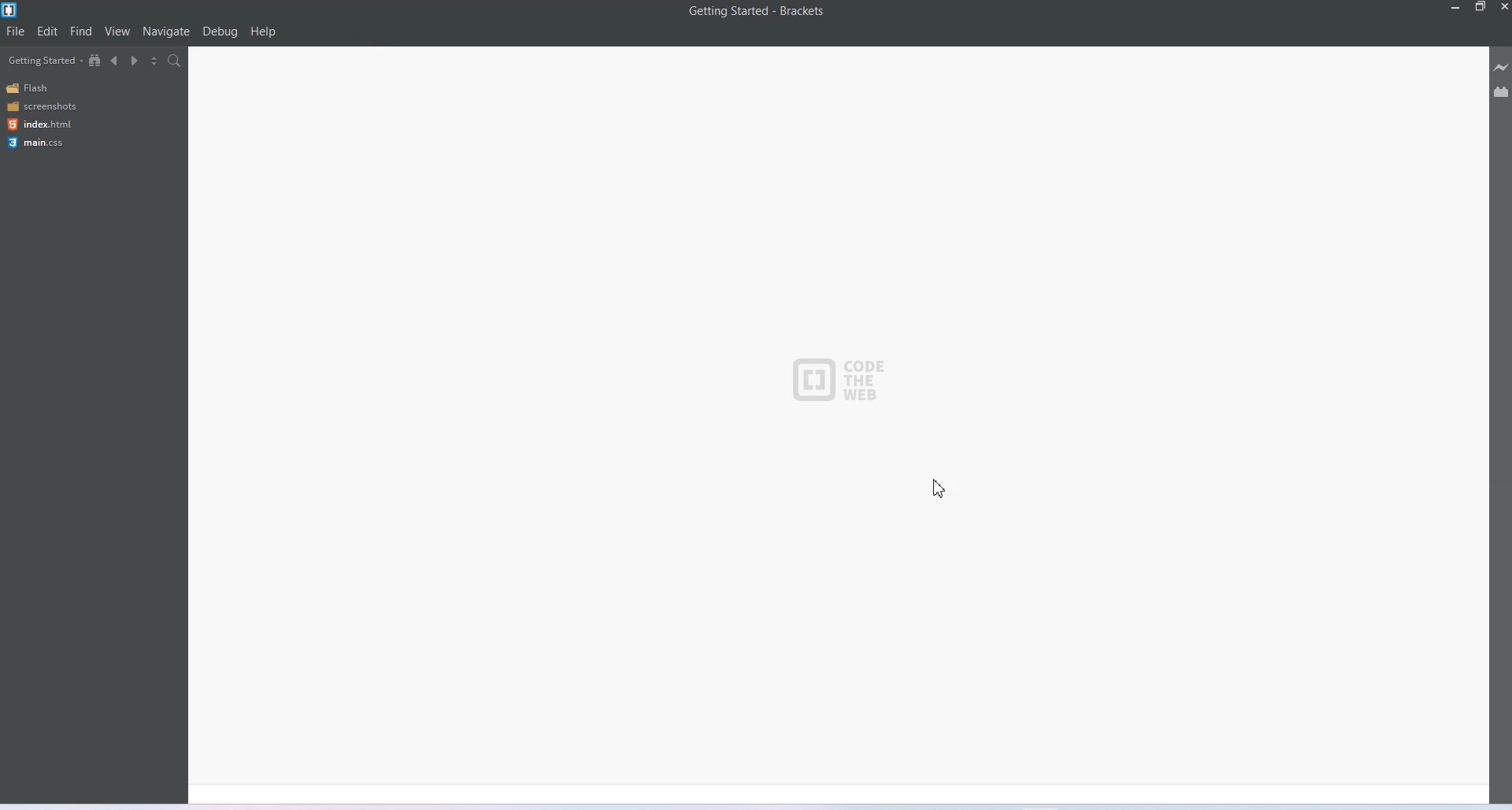 This screenshot has height=810, width=1512. I want to click on Debug, so click(220, 31).